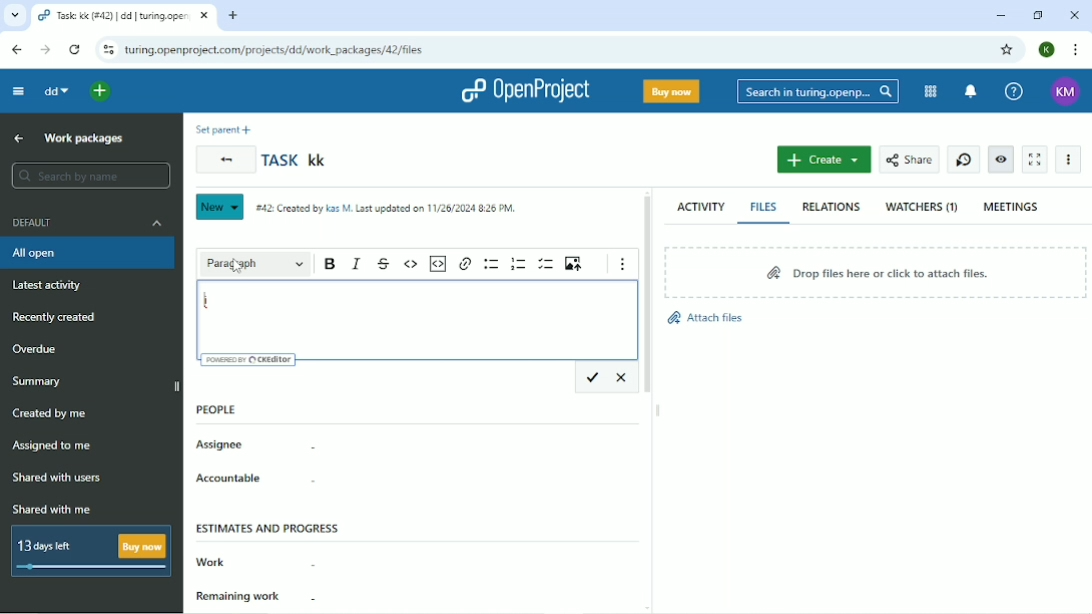 Image resolution: width=1092 pixels, height=614 pixels. What do you see at coordinates (1046, 49) in the screenshot?
I see `K` at bounding box center [1046, 49].